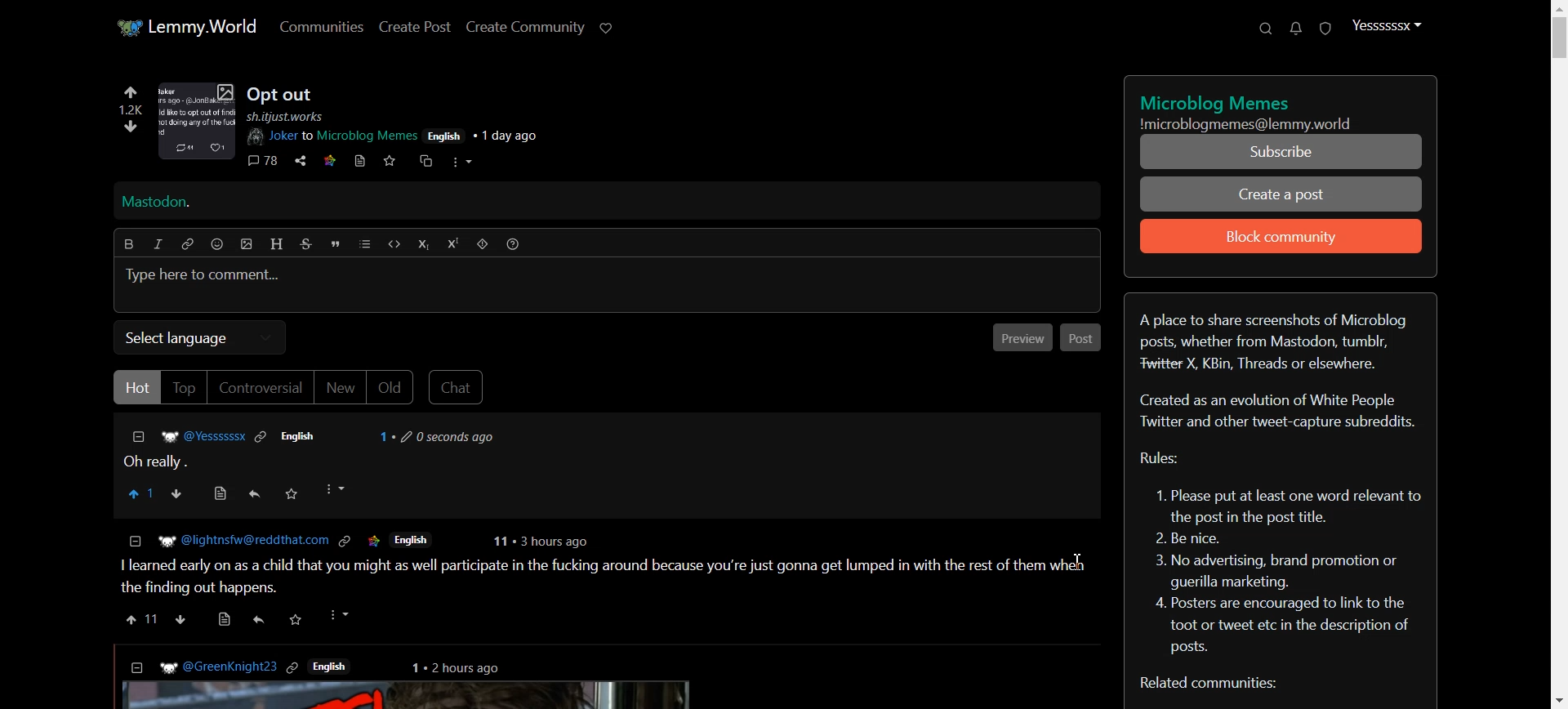 Image resolution: width=1568 pixels, height=709 pixels. I want to click on upvote, so click(141, 618).